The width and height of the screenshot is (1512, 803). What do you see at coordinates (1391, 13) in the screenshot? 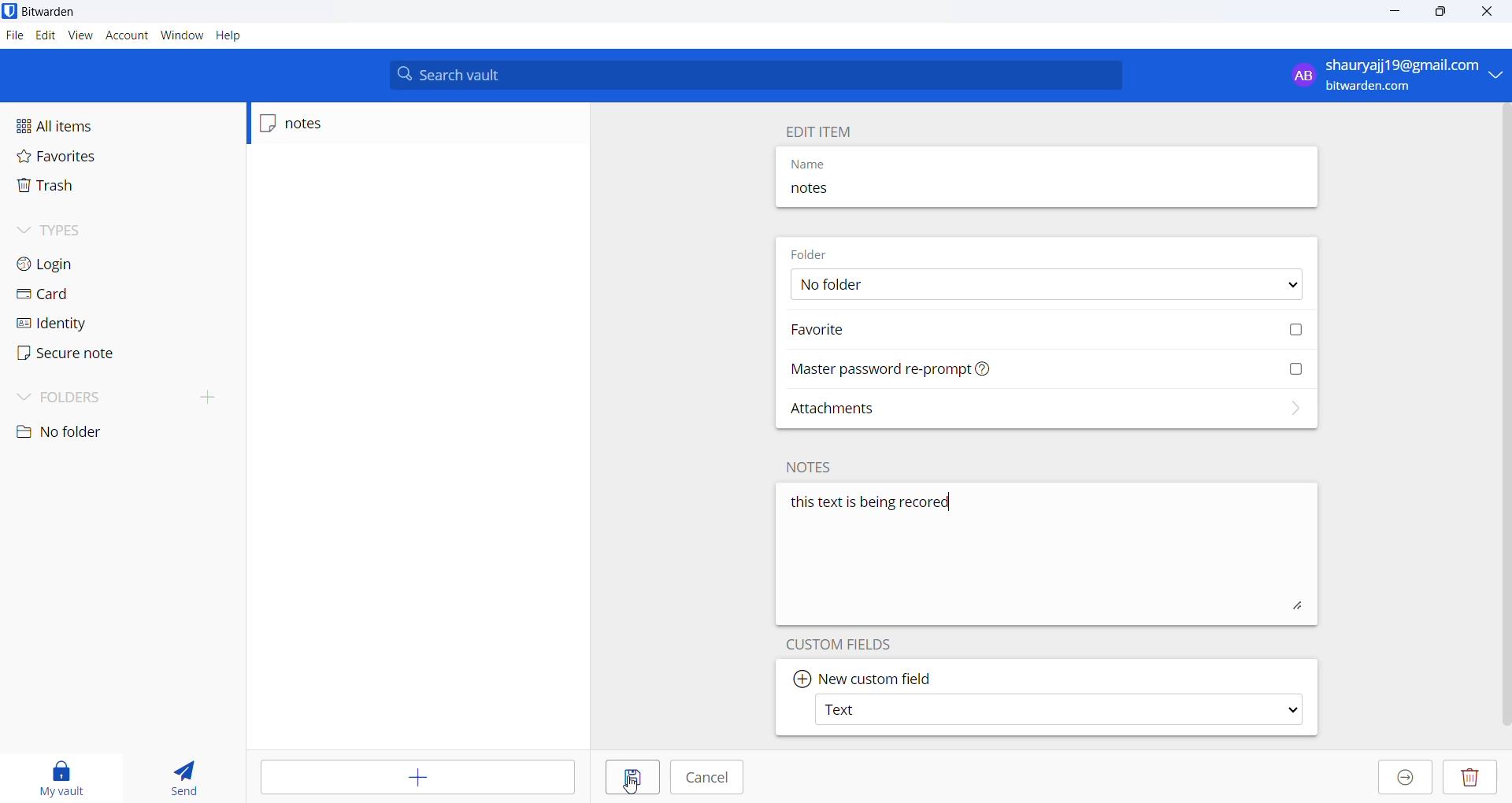
I see `minimize` at bounding box center [1391, 13].